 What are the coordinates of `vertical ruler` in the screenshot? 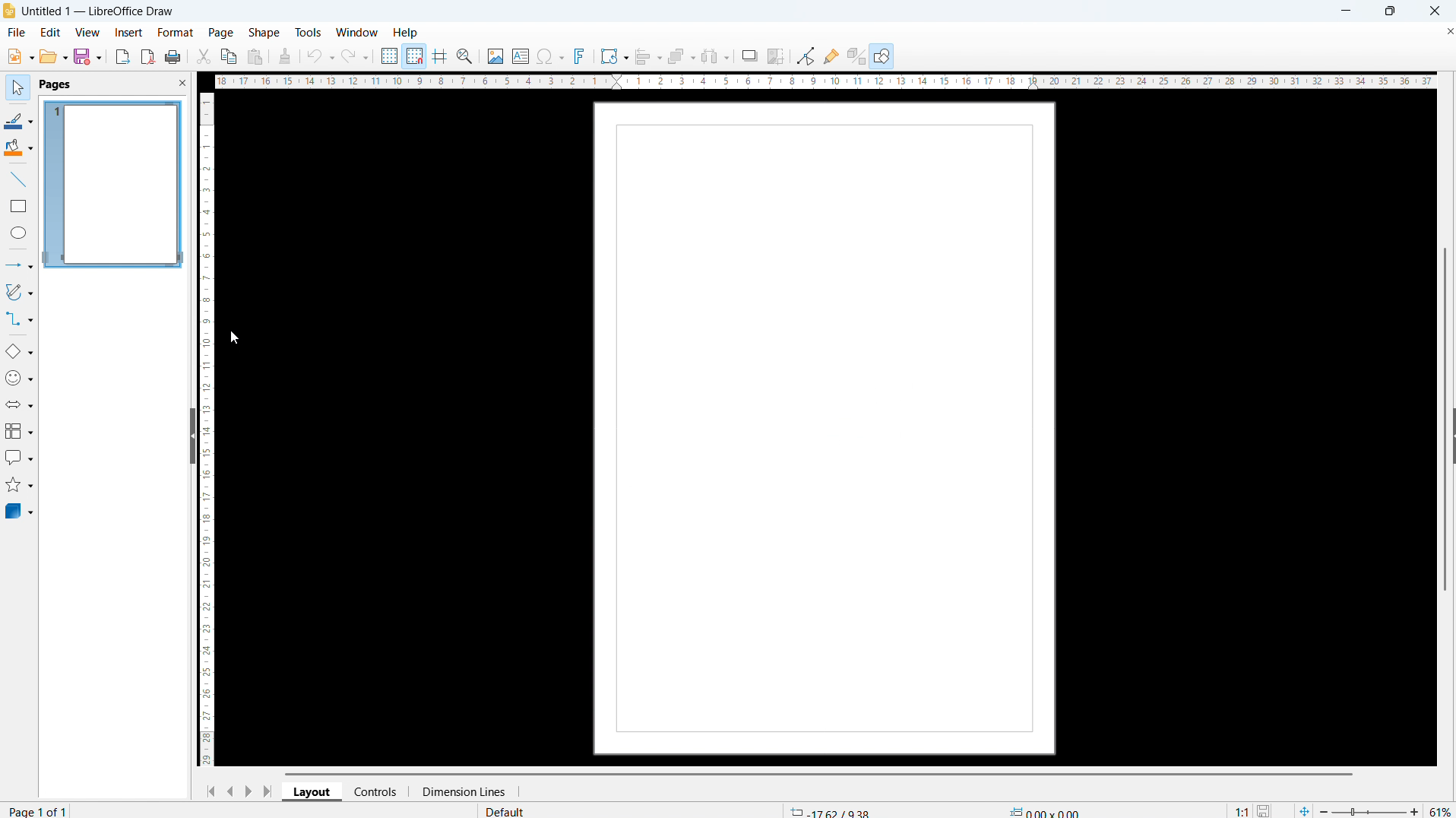 It's located at (209, 430).